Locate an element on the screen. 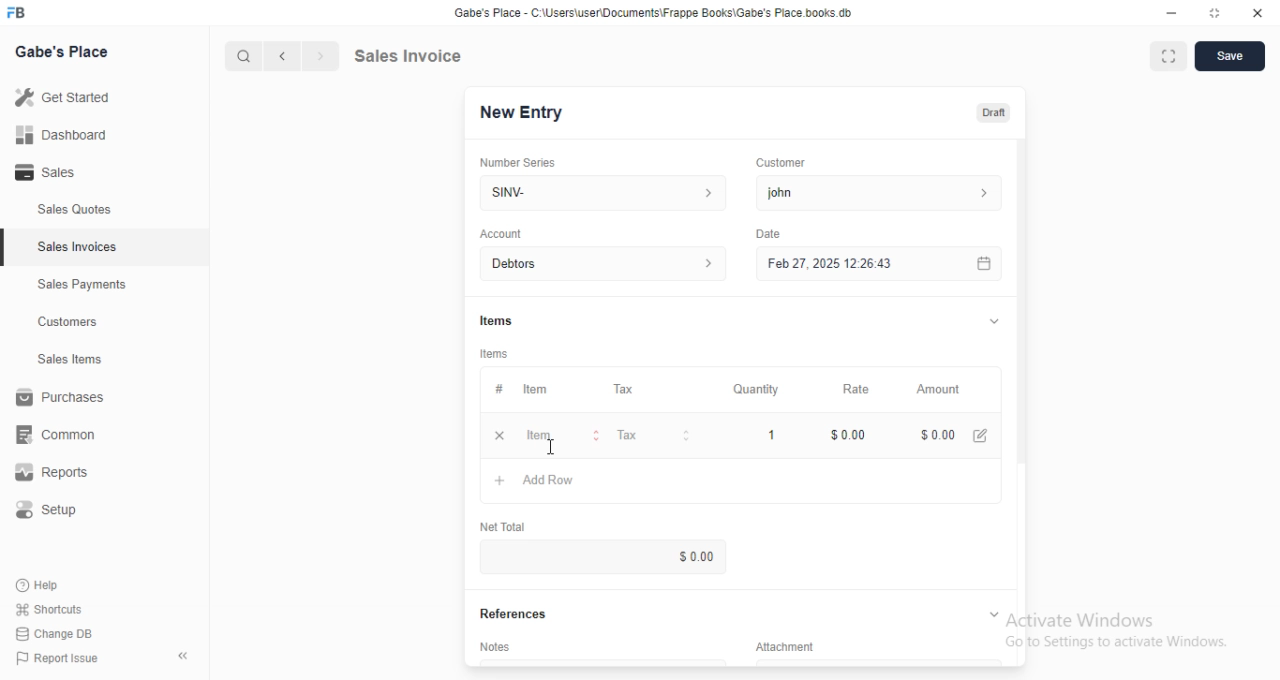 Image resolution: width=1280 pixels, height=680 pixels. Save is located at coordinates (1233, 55).